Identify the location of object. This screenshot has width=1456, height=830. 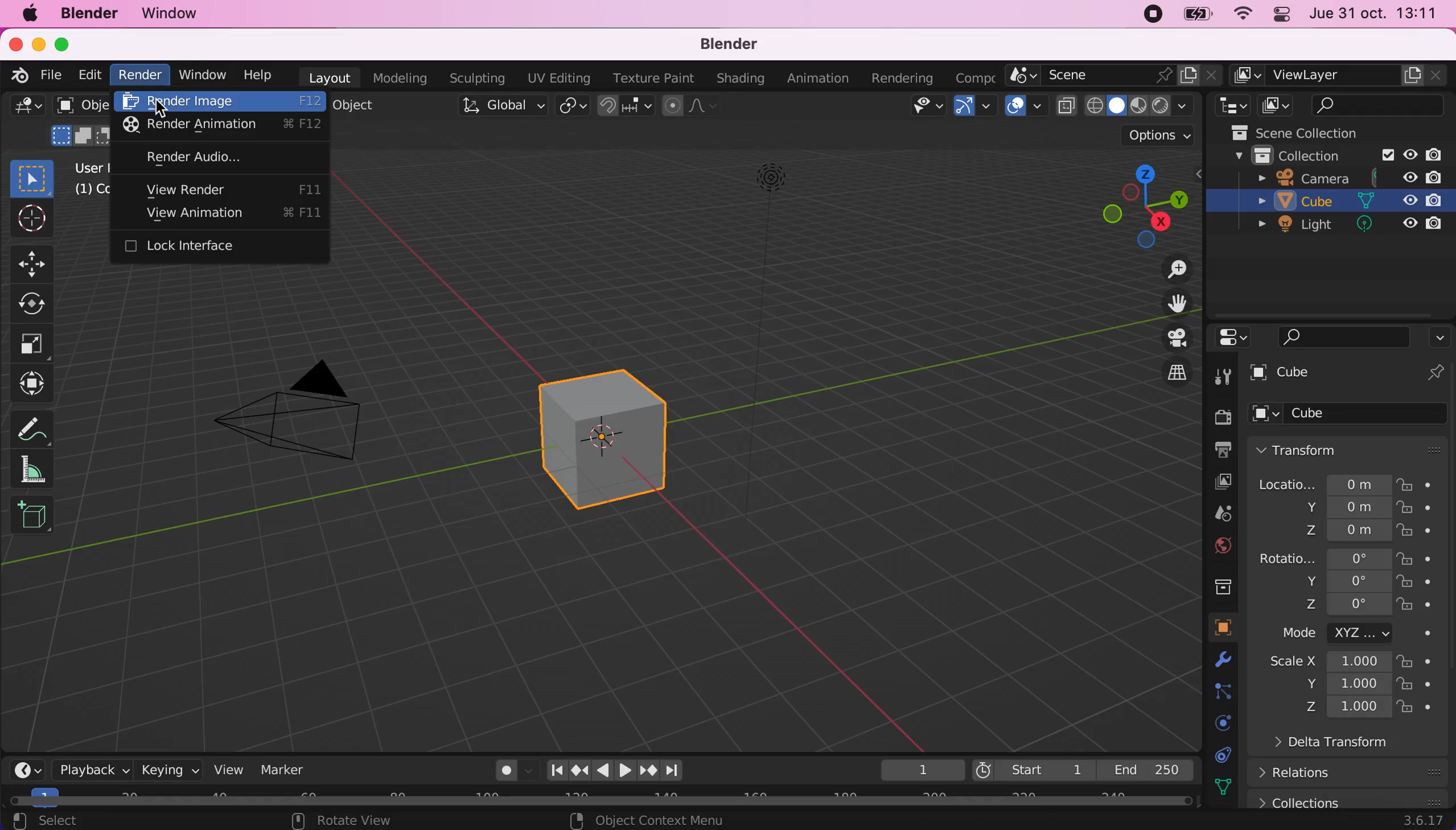
(1223, 628).